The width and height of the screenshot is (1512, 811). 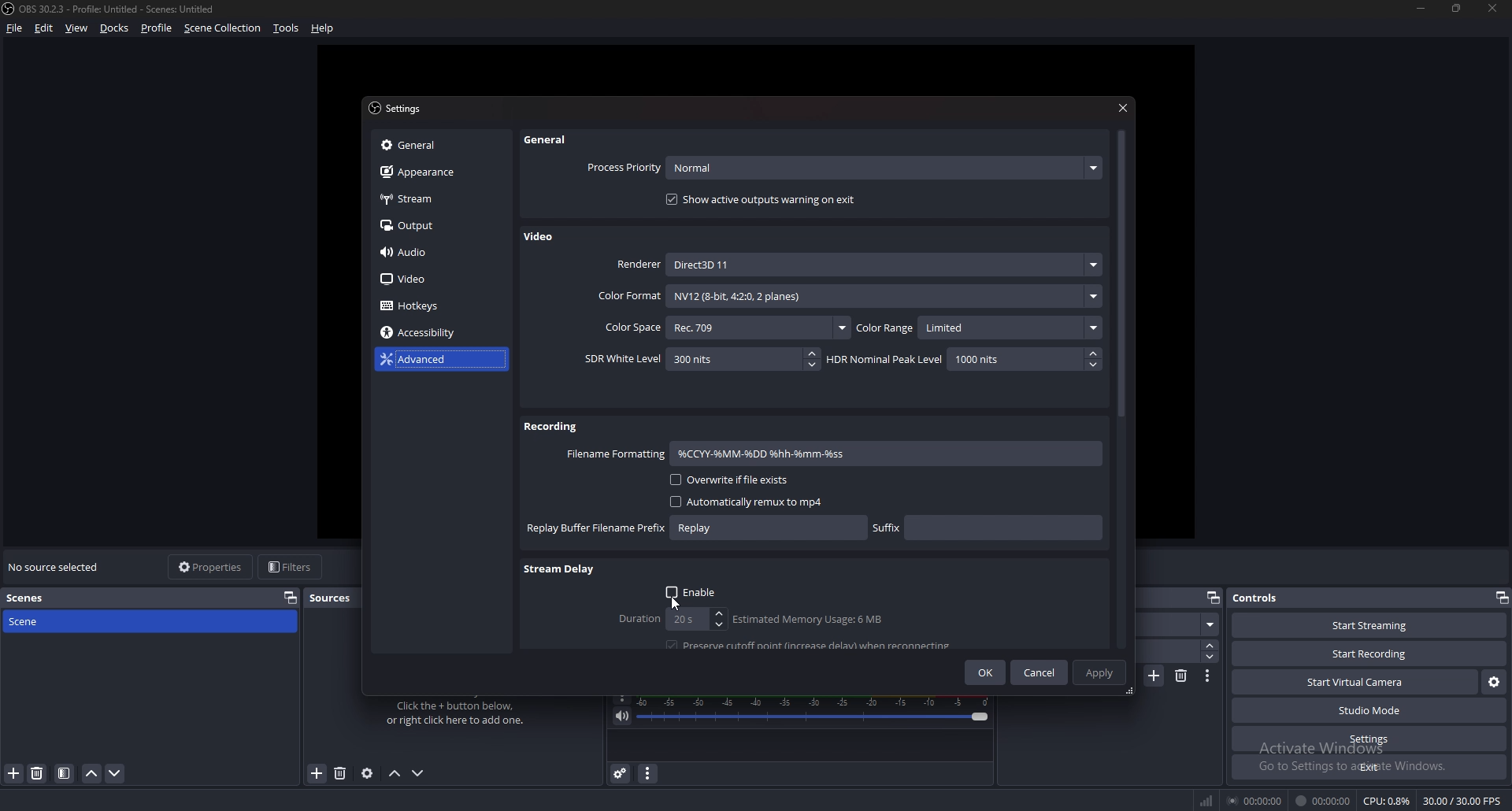 I want to click on signal, so click(x=1204, y=798).